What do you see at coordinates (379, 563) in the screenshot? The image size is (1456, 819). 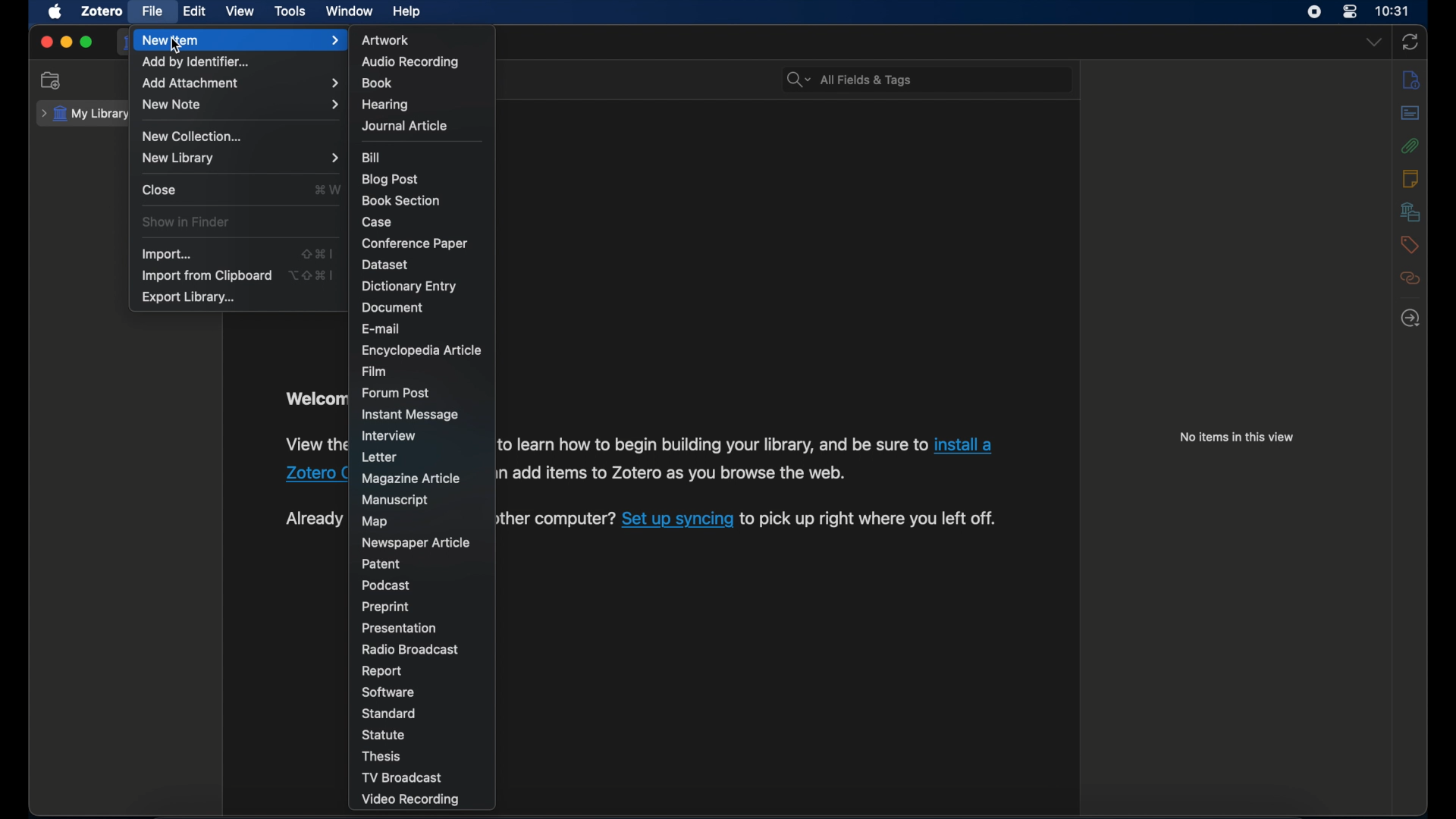 I see `patent` at bounding box center [379, 563].